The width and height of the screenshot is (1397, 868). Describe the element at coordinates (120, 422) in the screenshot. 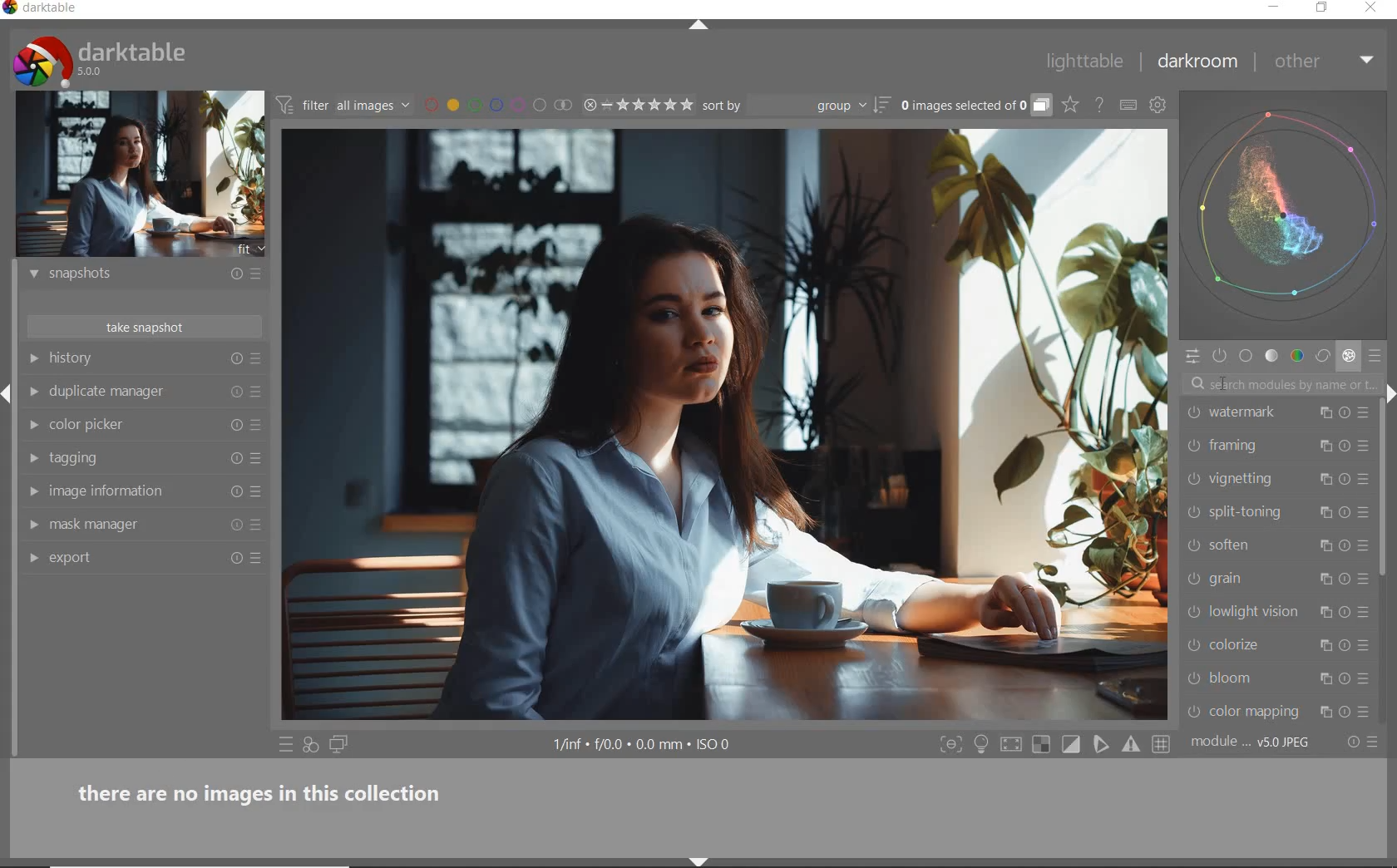

I see `color picker` at that location.